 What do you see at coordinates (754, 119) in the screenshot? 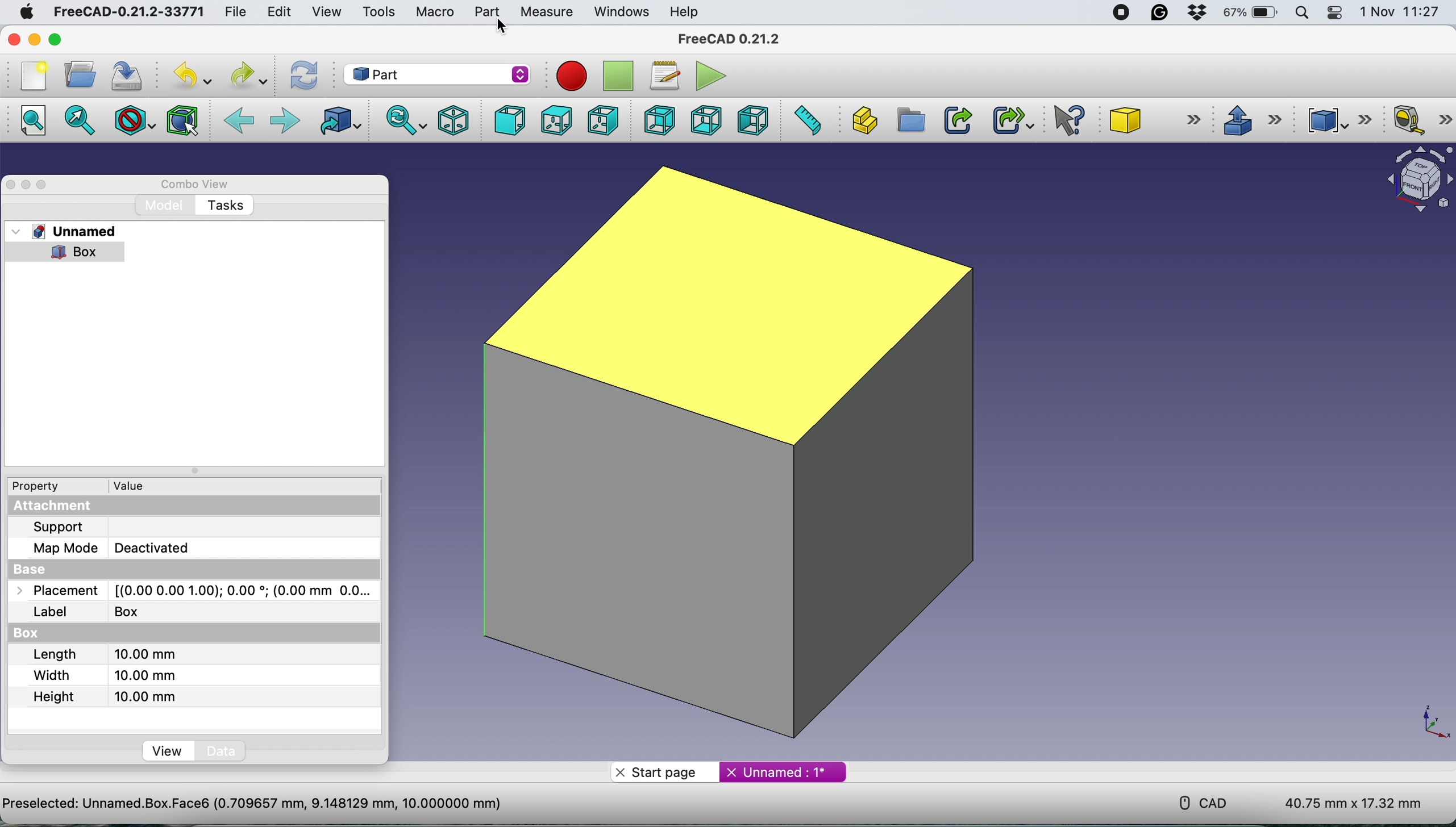
I see `left` at bounding box center [754, 119].